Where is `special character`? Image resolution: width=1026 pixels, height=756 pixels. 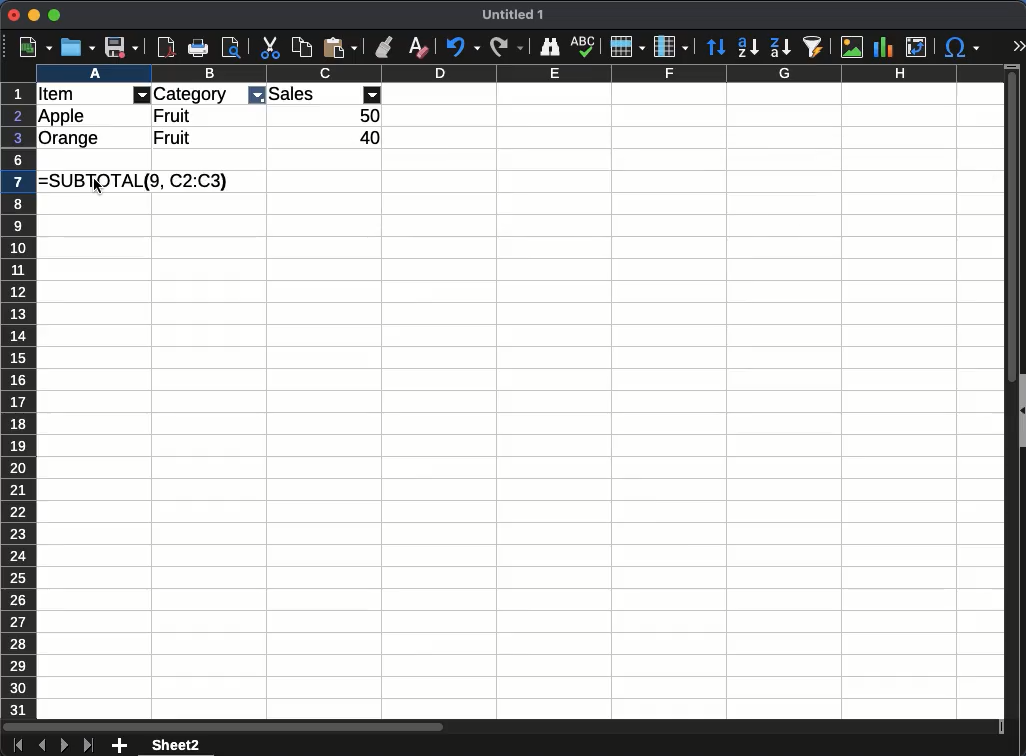
special character is located at coordinates (963, 49).